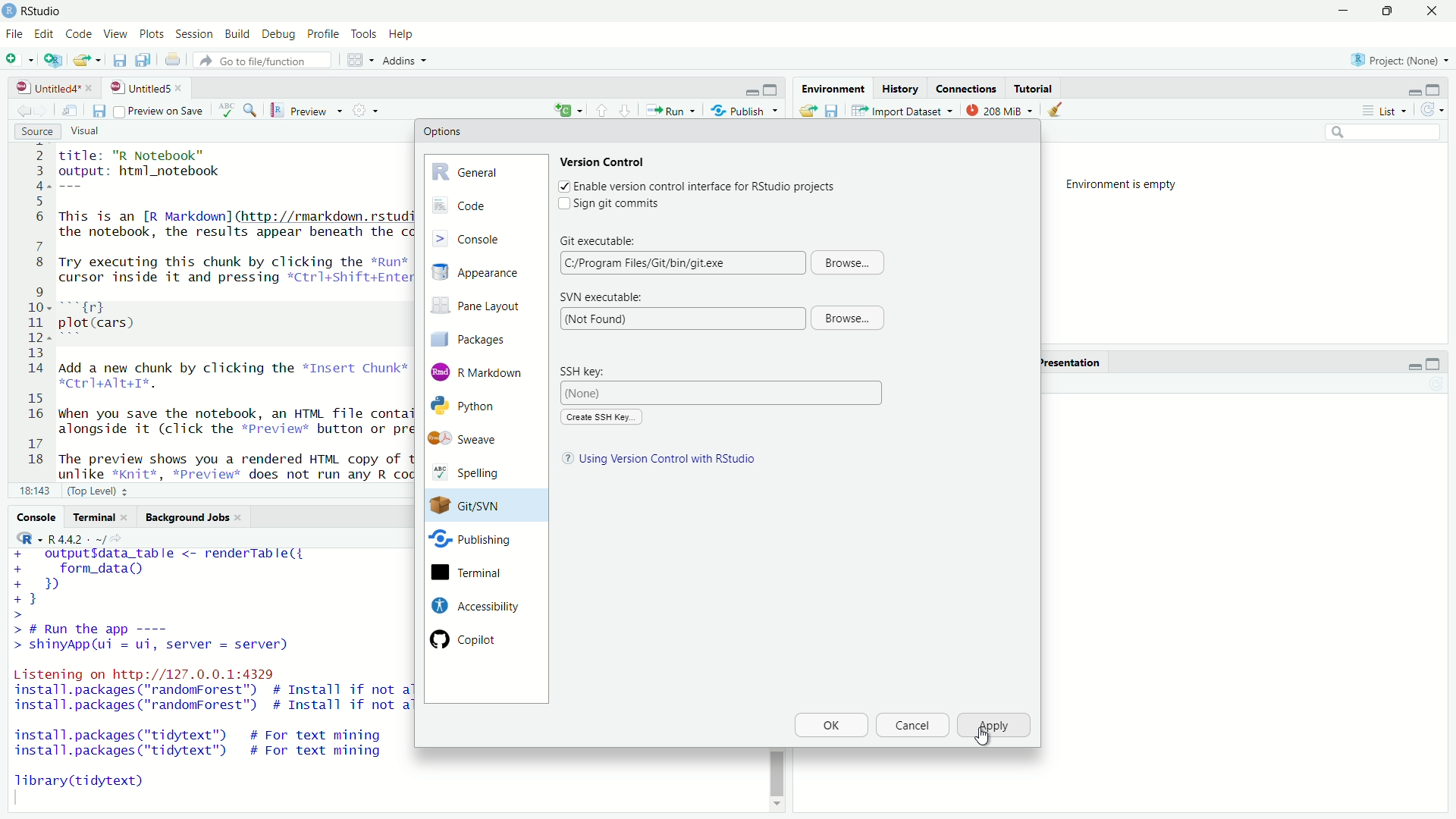 This screenshot has height=819, width=1456. I want to click on Background Jobs, so click(194, 518).